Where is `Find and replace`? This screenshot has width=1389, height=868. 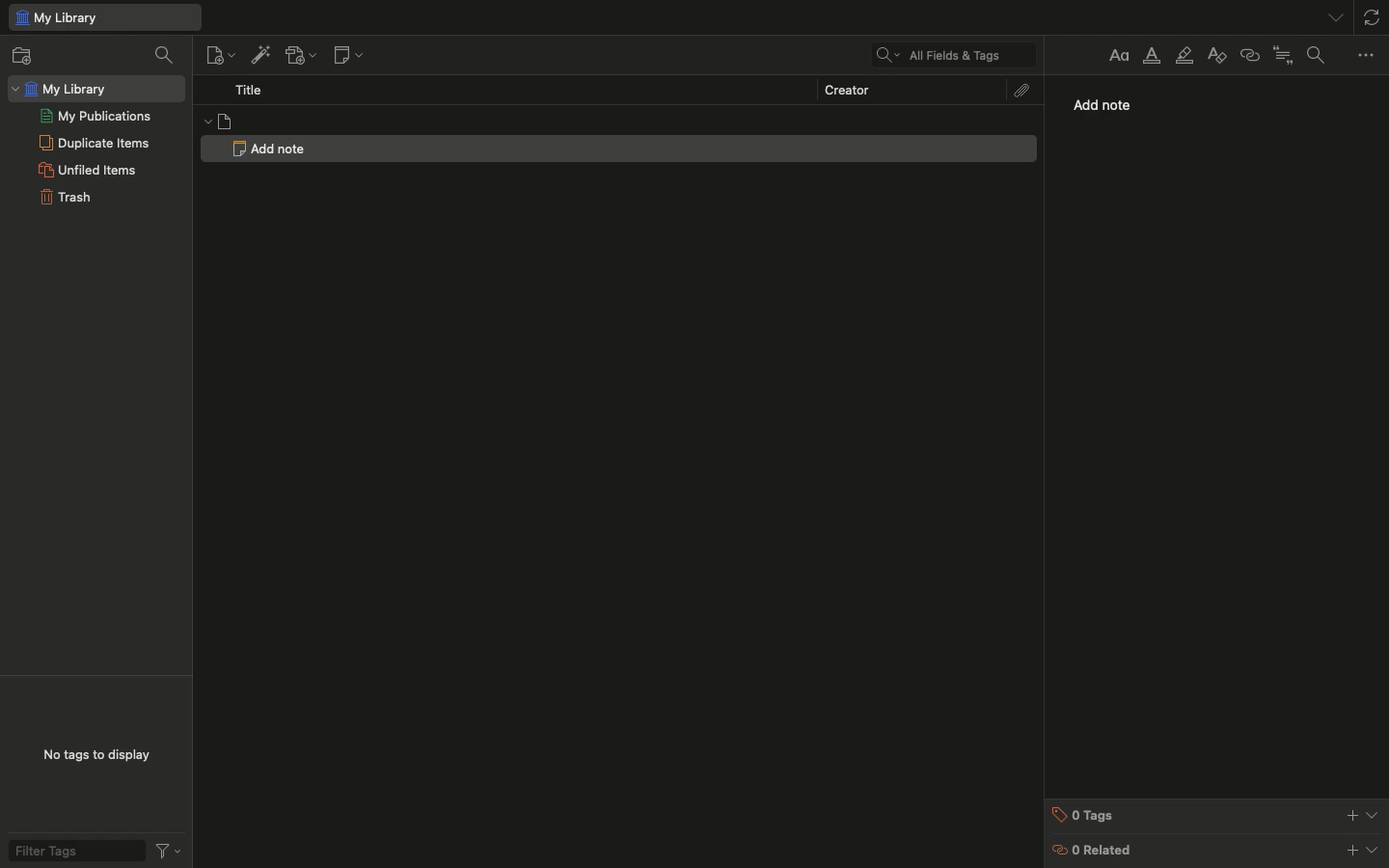
Find and replace is located at coordinates (1321, 55).